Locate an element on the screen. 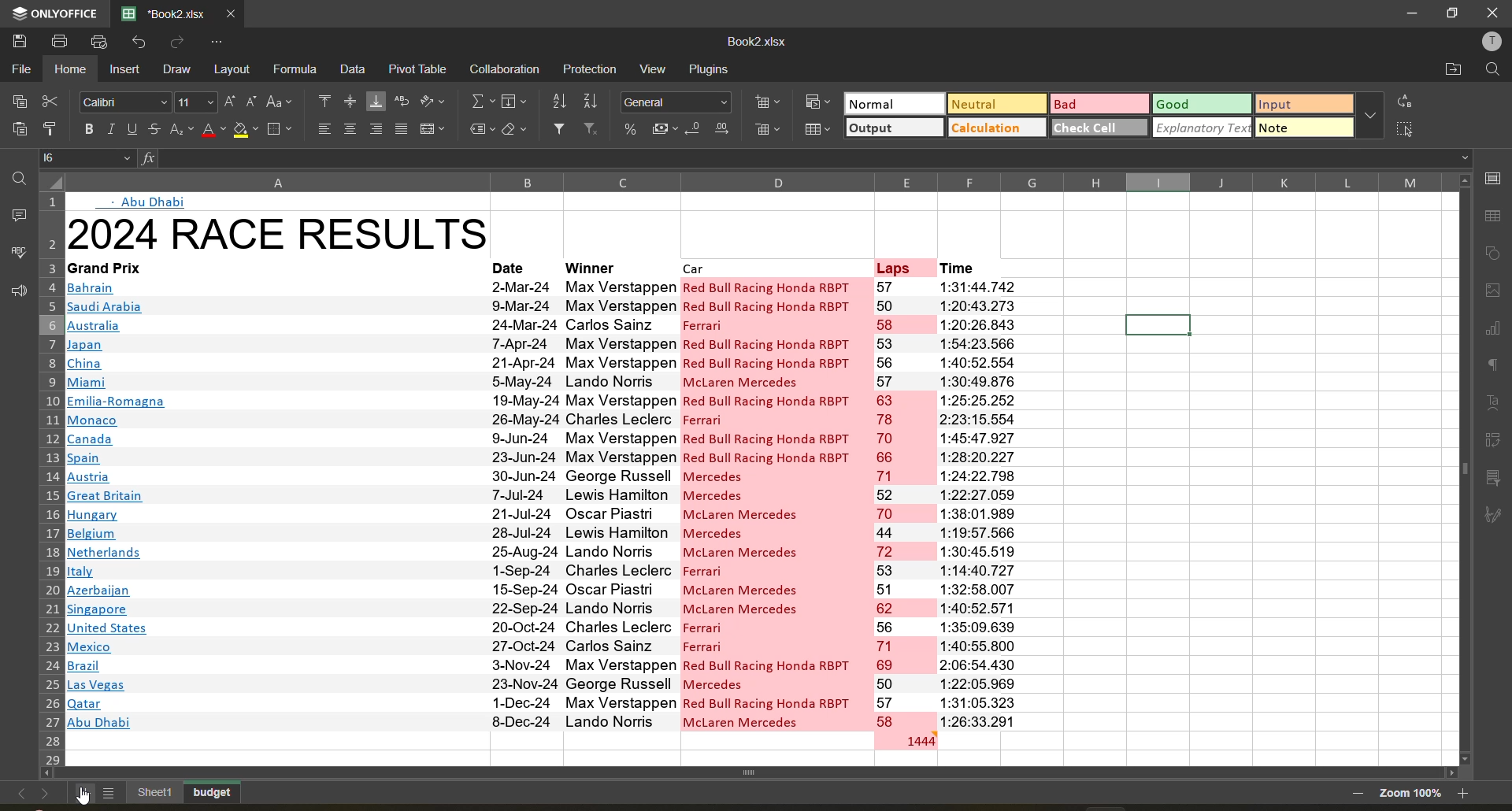  abu dhabi is located at coordinates (143, 201).